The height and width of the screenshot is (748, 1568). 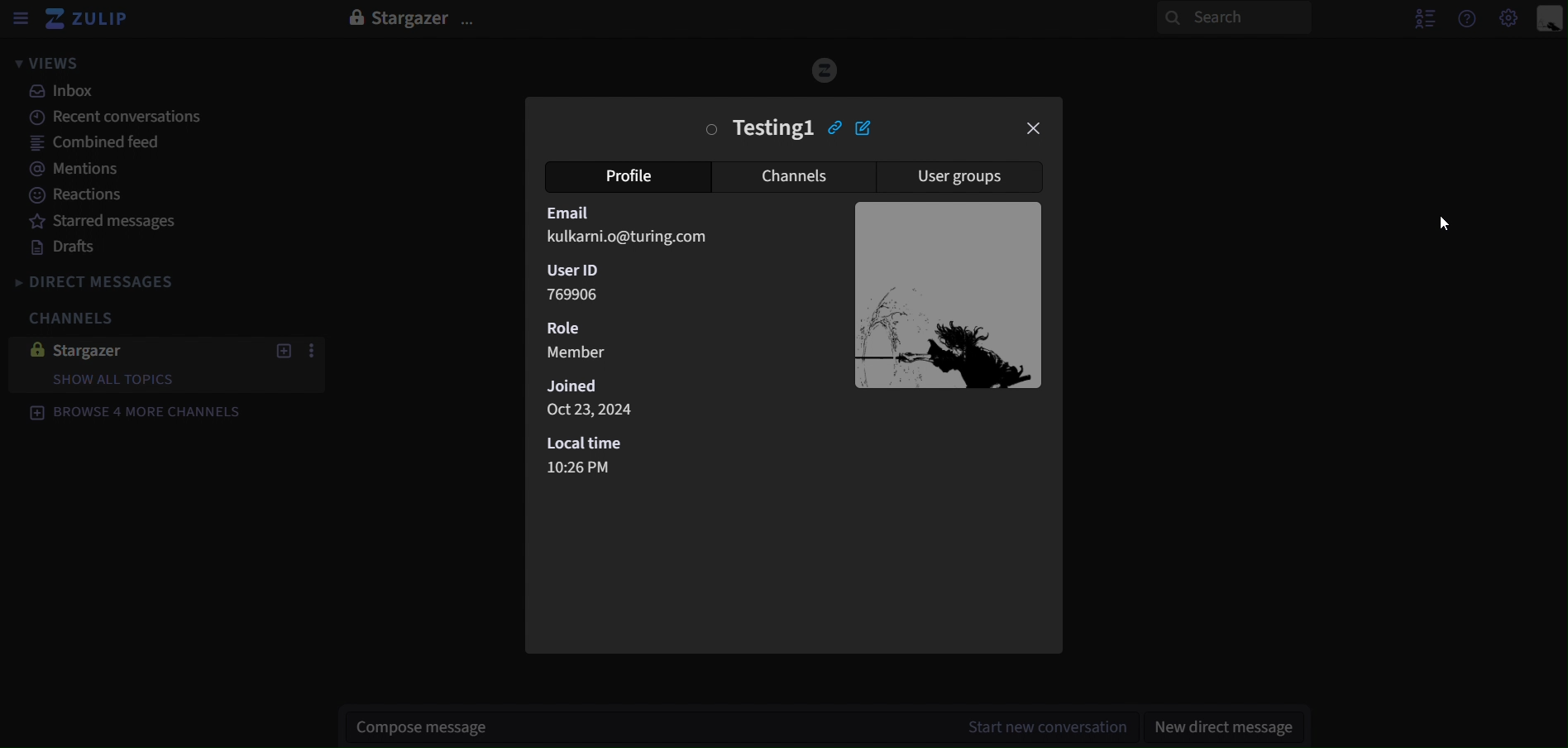 What do you see at coordinates (836, 129) in the screenshot?
I see `copy` at bounding box center [836, 129].